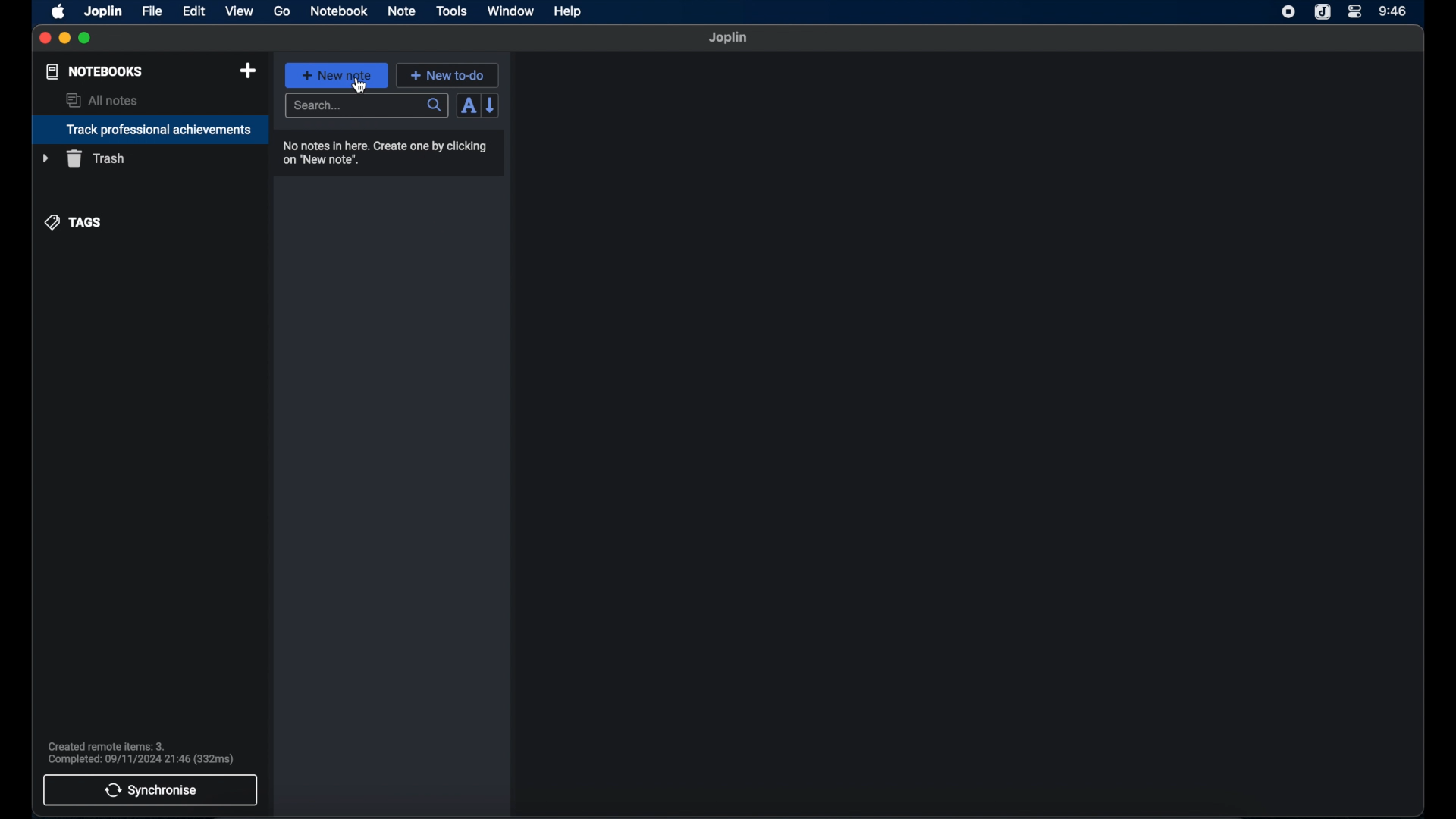 The height and width of the screenshot is (819, 1456). What do you see at coordinates (1323, 13) in the screenshot?
I see `joplin` at bounding box center [1323, 13].